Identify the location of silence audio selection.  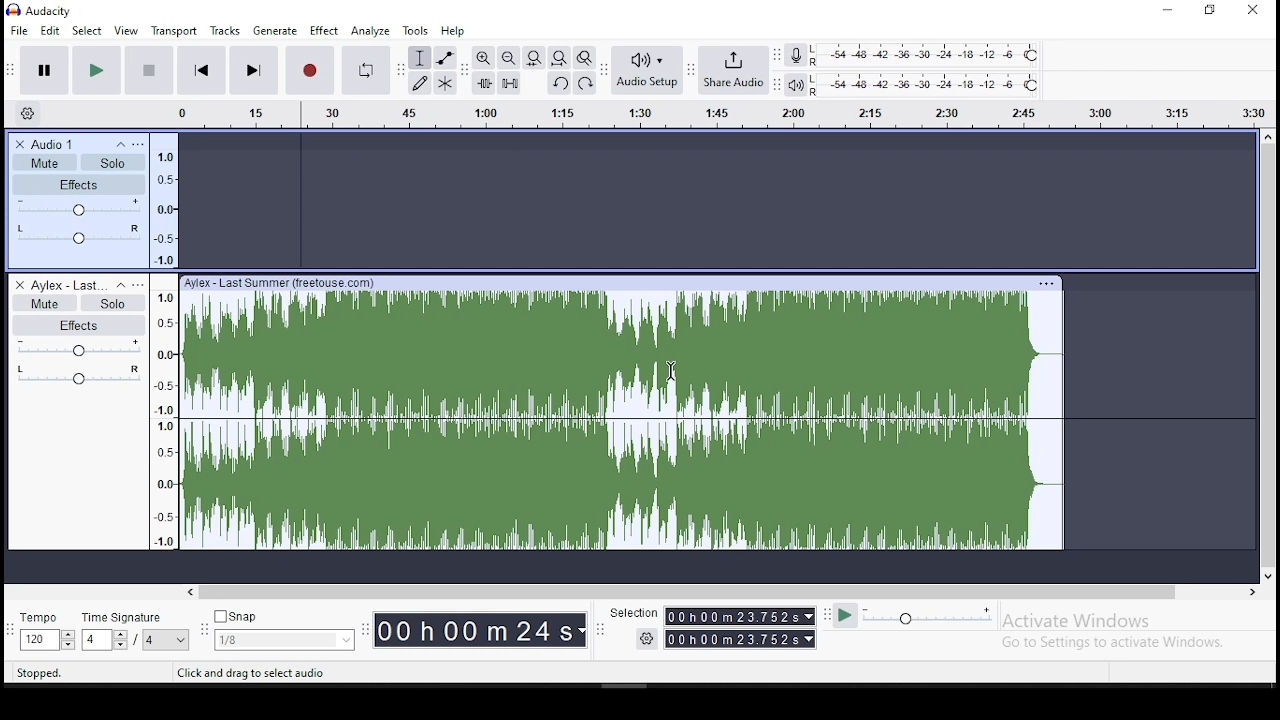
(510, 83).